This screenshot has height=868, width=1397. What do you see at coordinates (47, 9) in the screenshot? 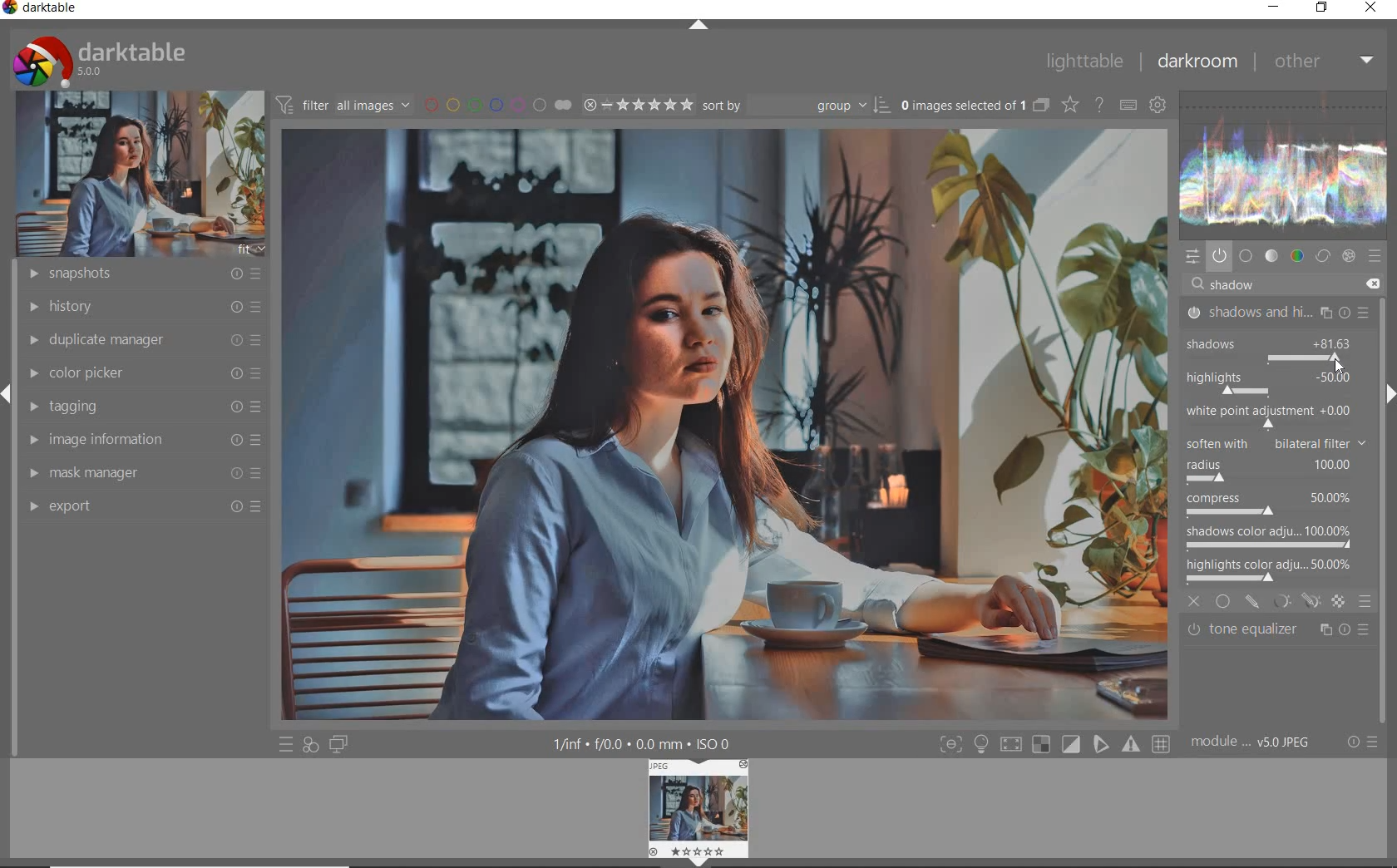
I see `darktable` at bounding box center [47, 9].